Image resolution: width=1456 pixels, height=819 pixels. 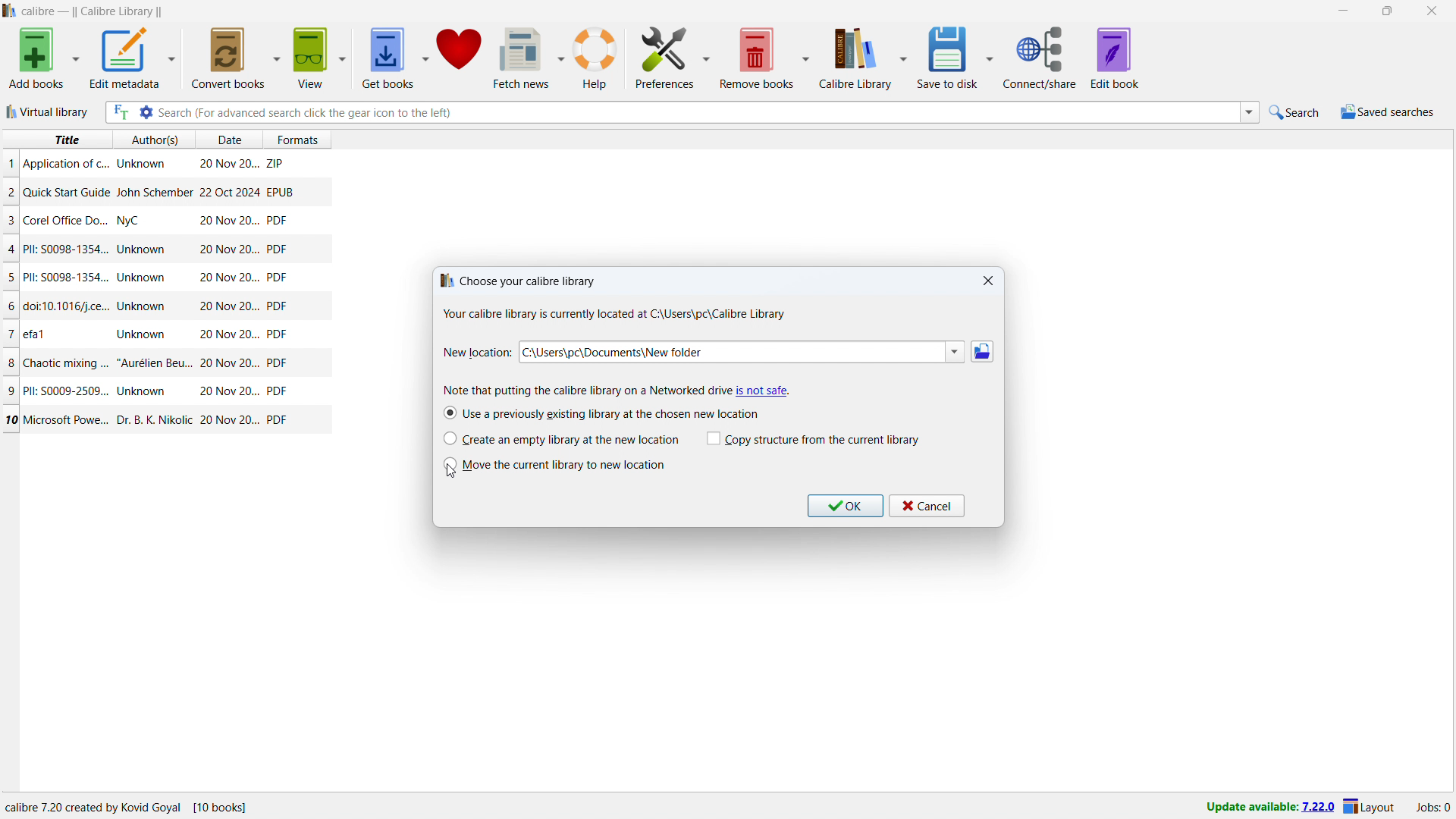 What do you see at coordinates (601, 413) in the screenshot?
I see `use a previously existing library at the chosen new location` at bounding box center [601, 413].